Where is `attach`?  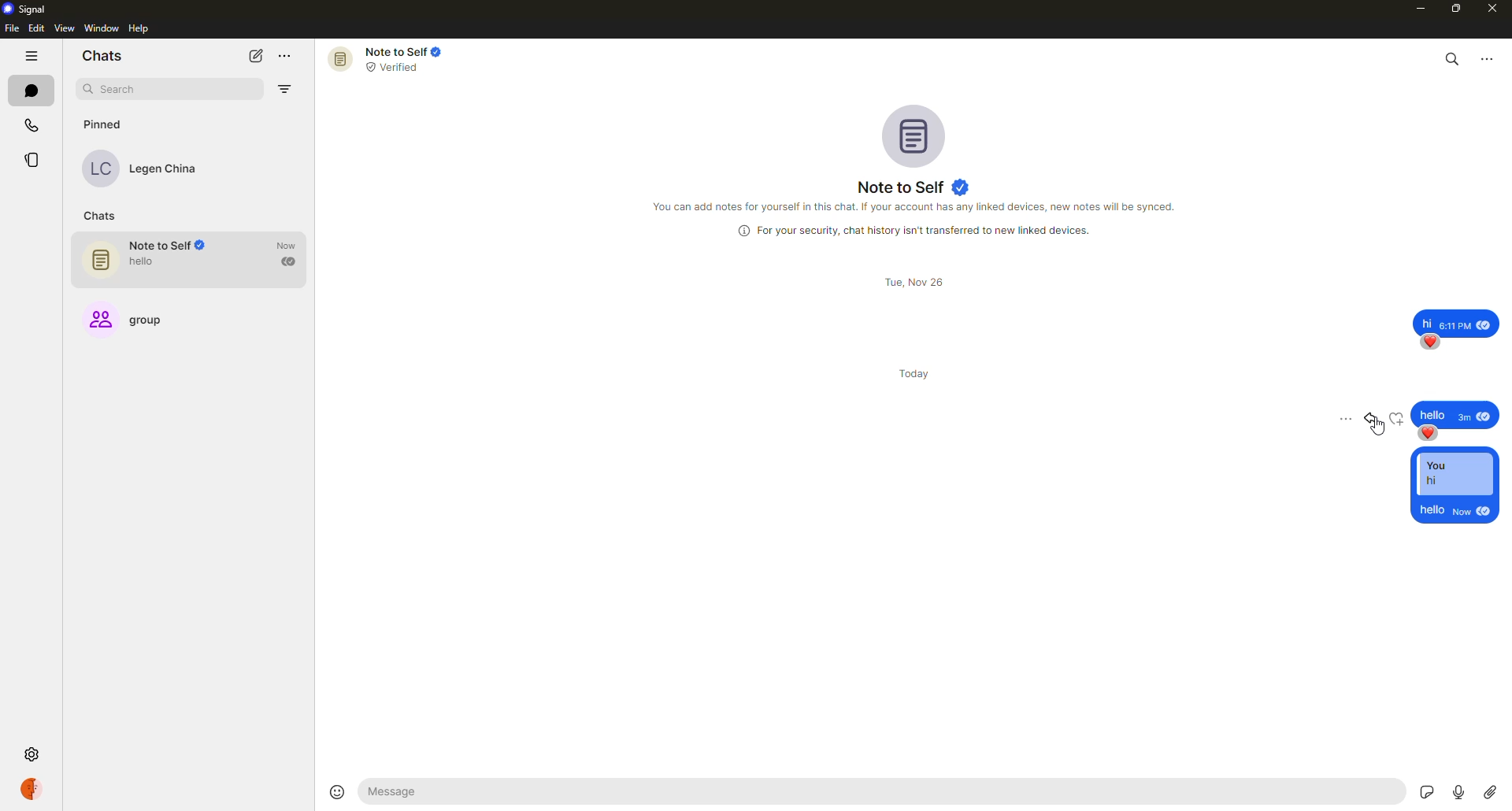
attach is located at coordinates (1492, 791).